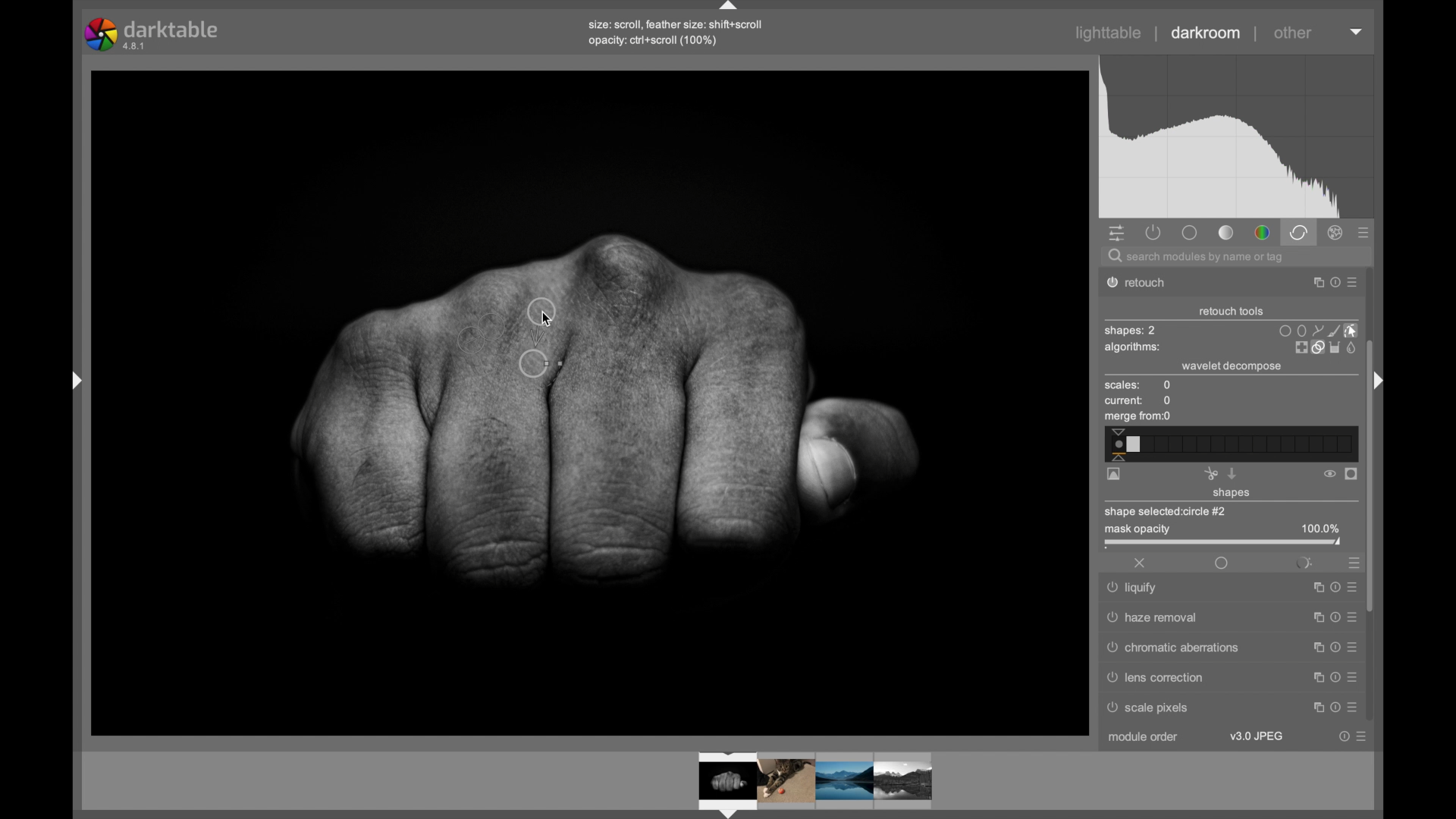  Describe the element at coordinates (1173, 648) in the screenshot. I see `chromatic aberrations` at that location.